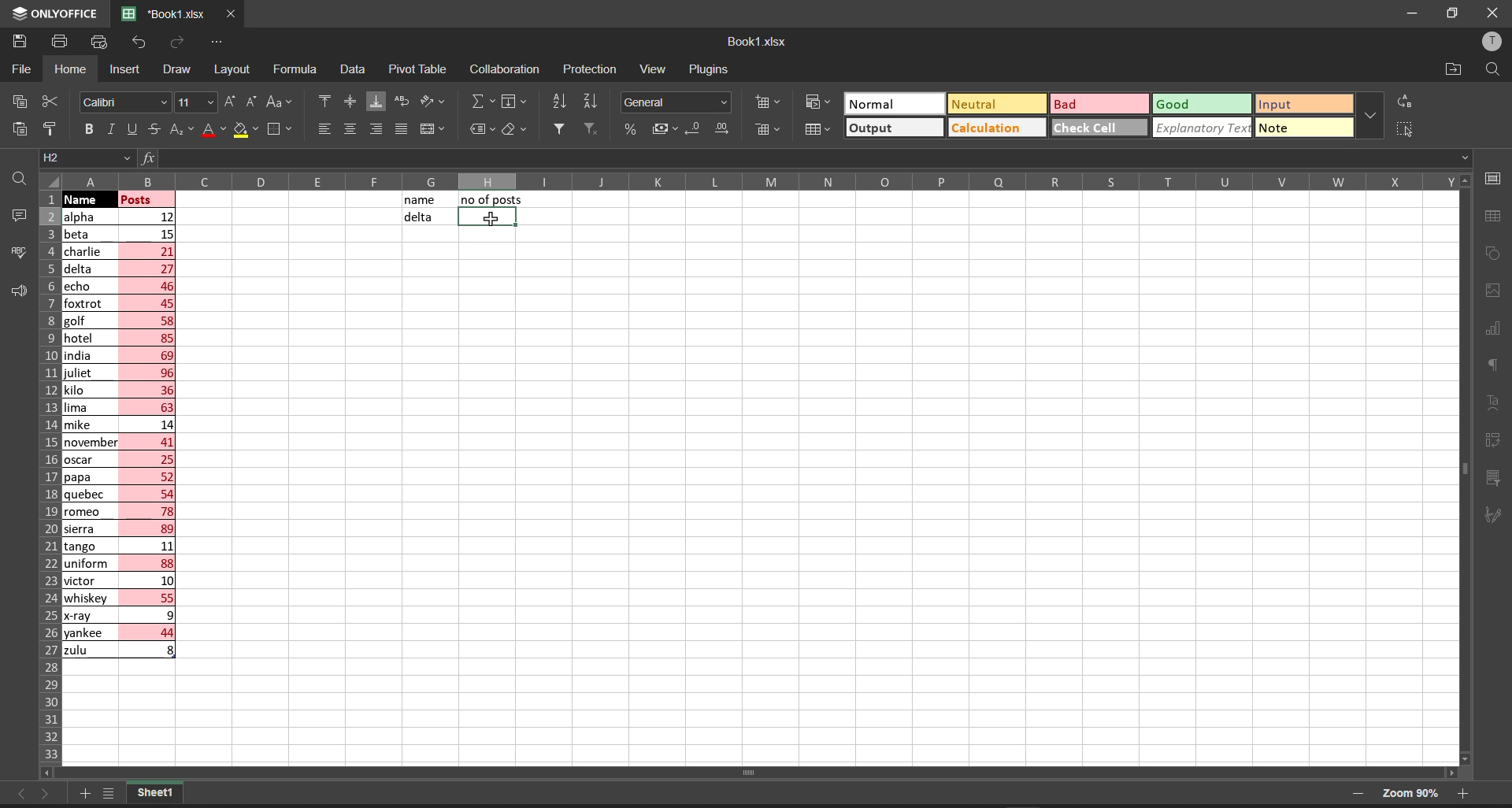 The width and height of the screenshot is (1512, 808). What do you see at coordinates (817, 129) in the screenshot?
I see `format as table` at bounding box center [817, 129].